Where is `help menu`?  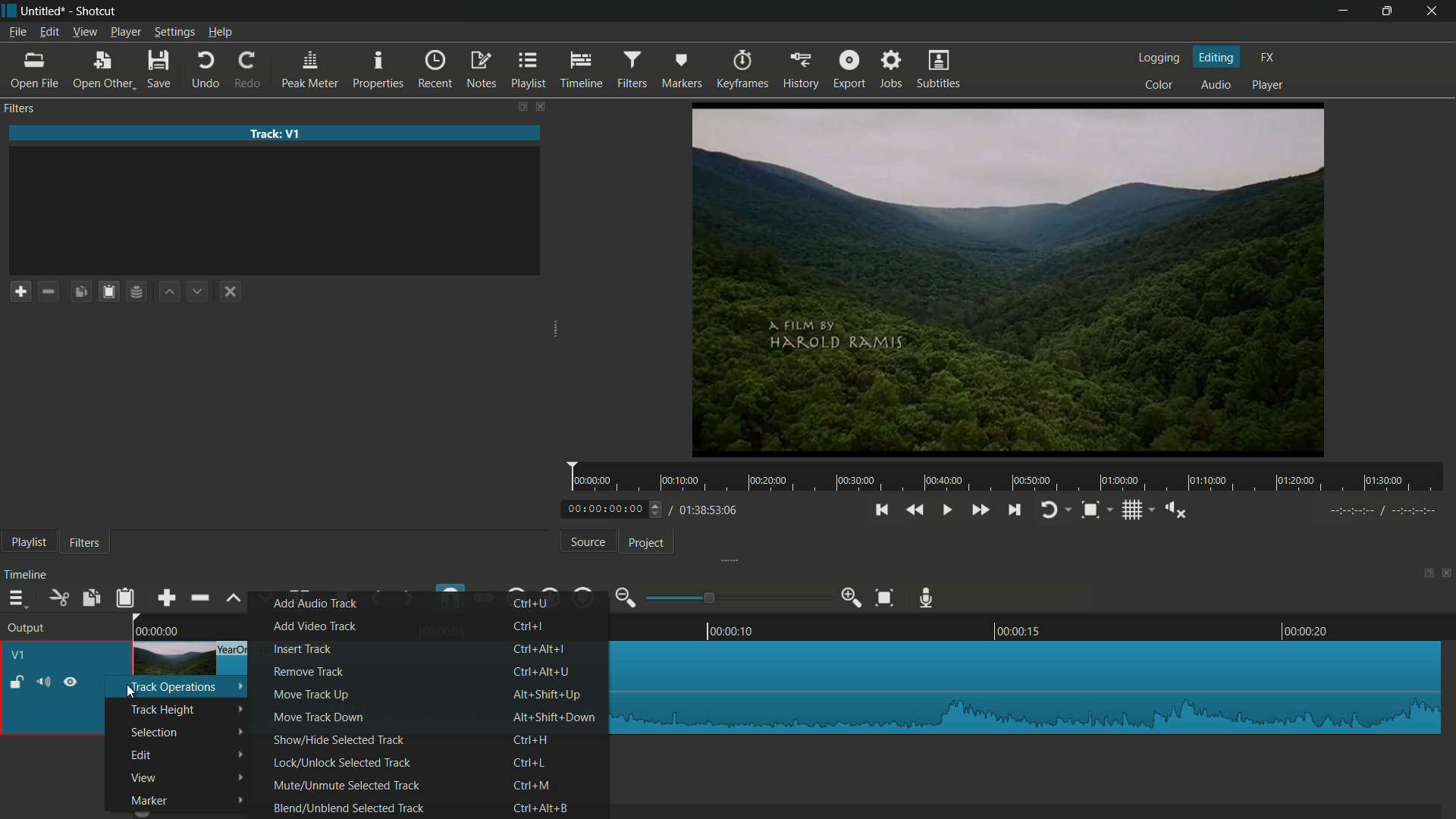
help menu is located at coordinates (220, 32).